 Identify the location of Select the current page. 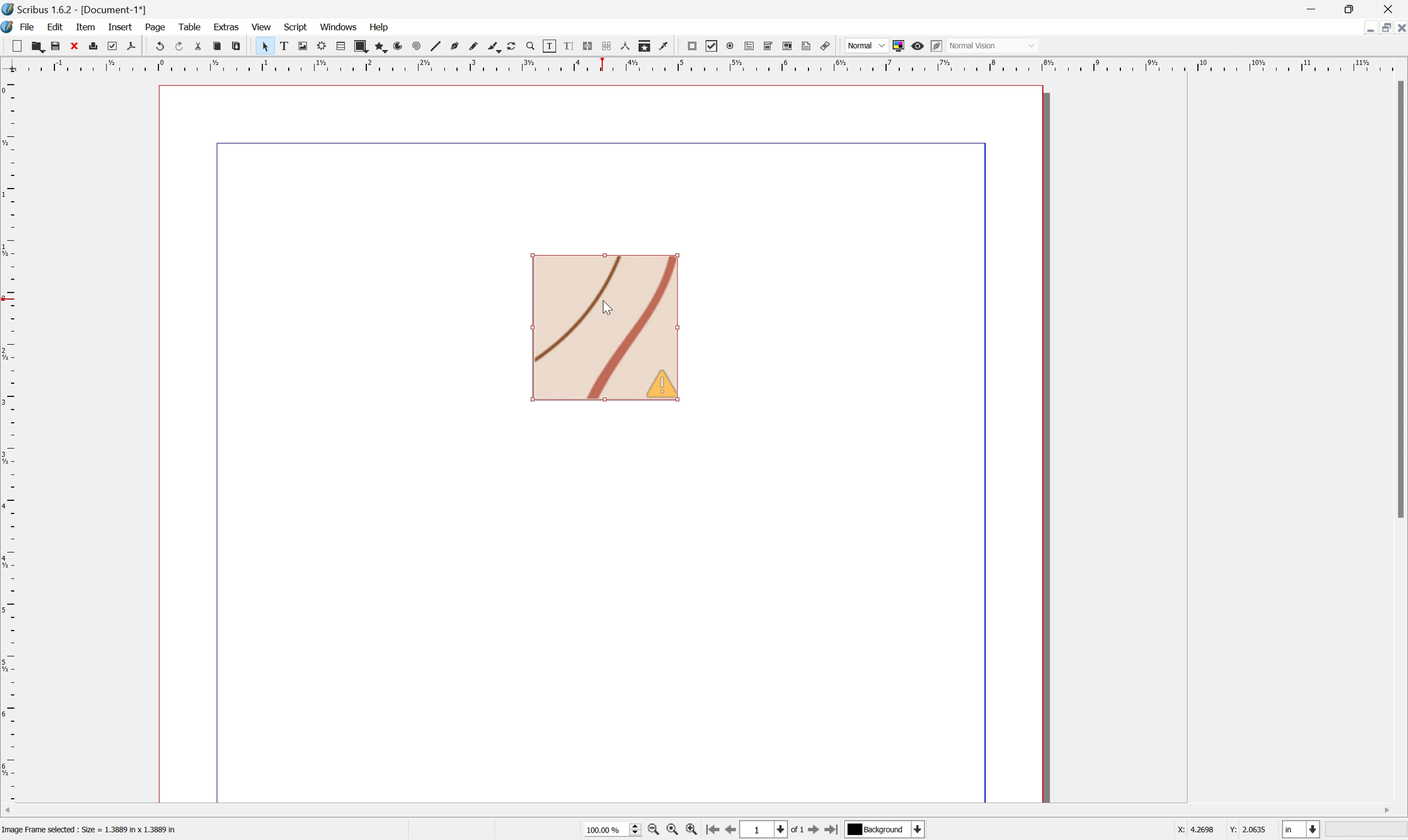
(766, 830).